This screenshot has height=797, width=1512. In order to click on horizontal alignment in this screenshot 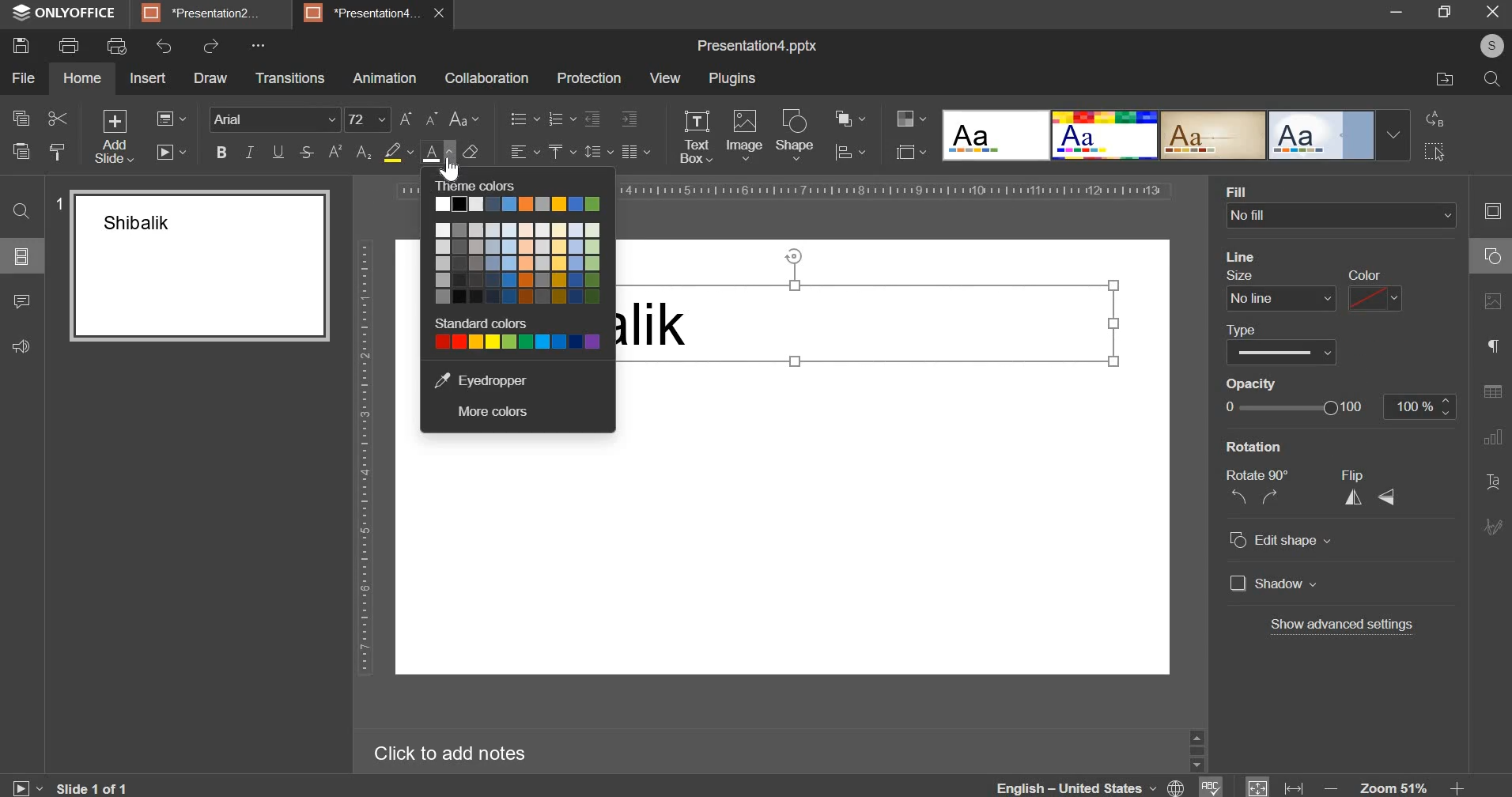, I will do `click(524, 149)`.